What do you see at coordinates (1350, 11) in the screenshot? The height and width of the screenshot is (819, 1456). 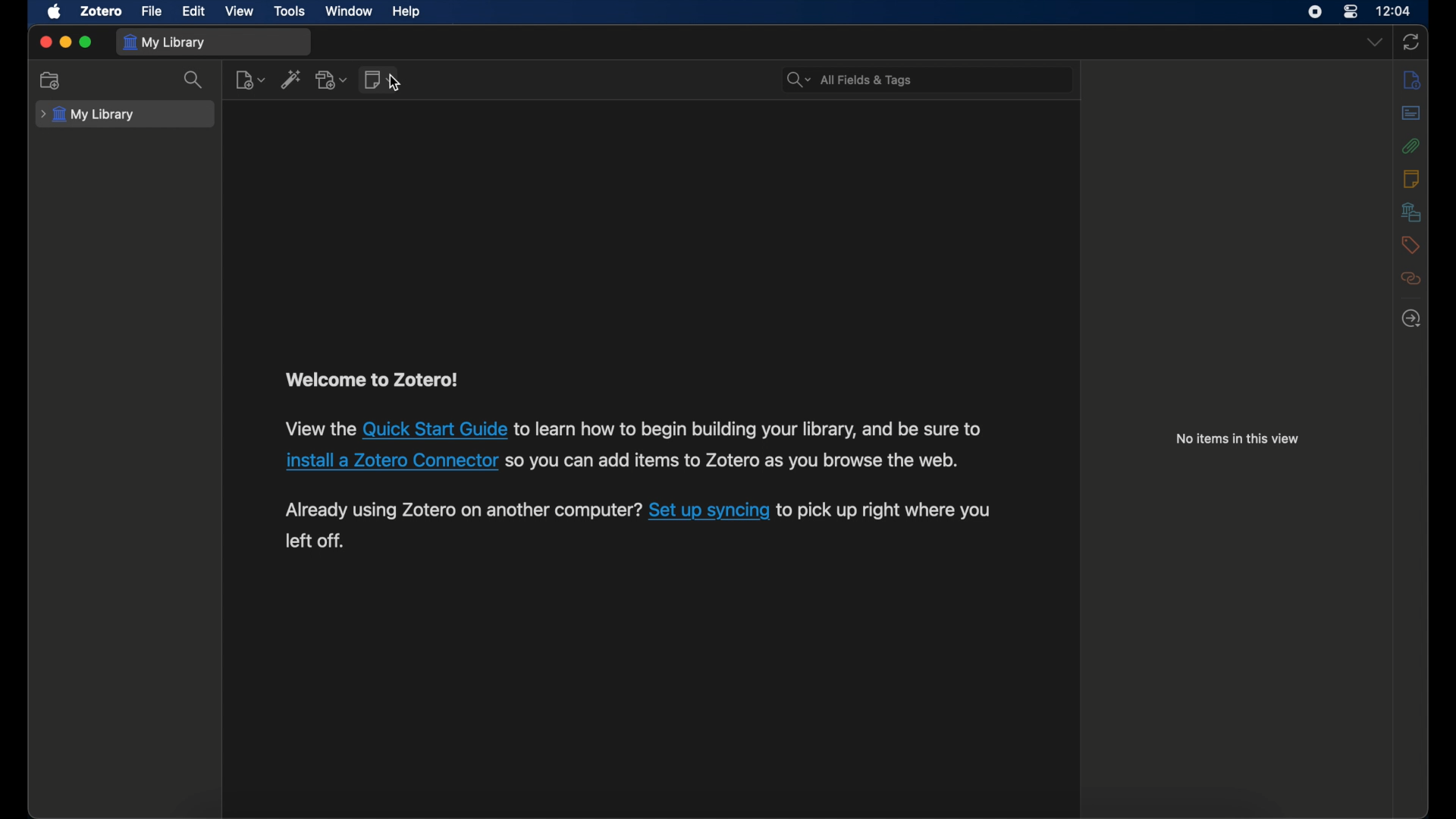 I see `control center` at bounding box center [1350, 11].